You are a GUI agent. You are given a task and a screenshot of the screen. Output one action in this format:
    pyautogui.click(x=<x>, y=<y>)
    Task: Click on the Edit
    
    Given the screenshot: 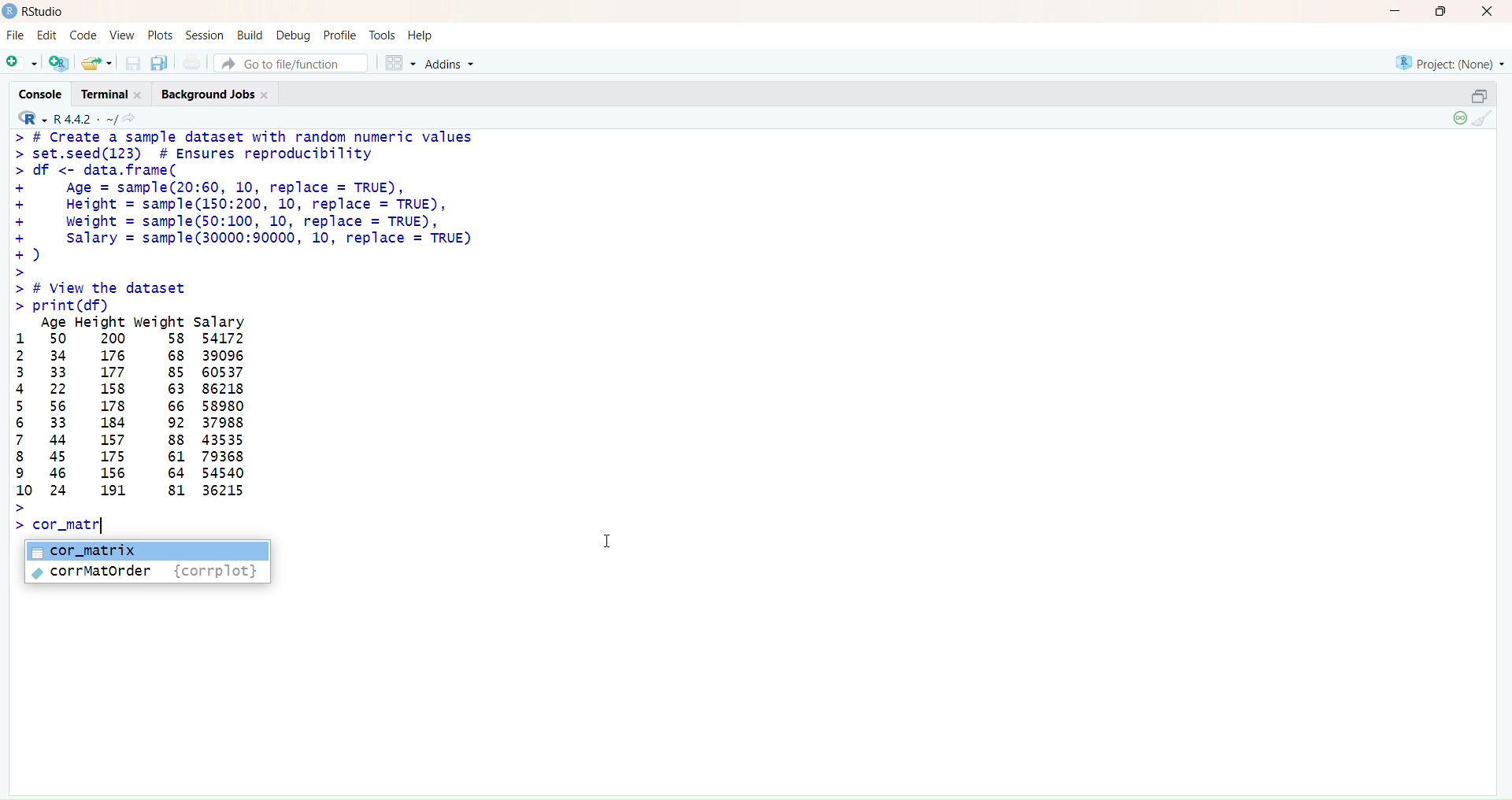 What is the action you would take?
    pyautogui.click(x=48, y=36)
    